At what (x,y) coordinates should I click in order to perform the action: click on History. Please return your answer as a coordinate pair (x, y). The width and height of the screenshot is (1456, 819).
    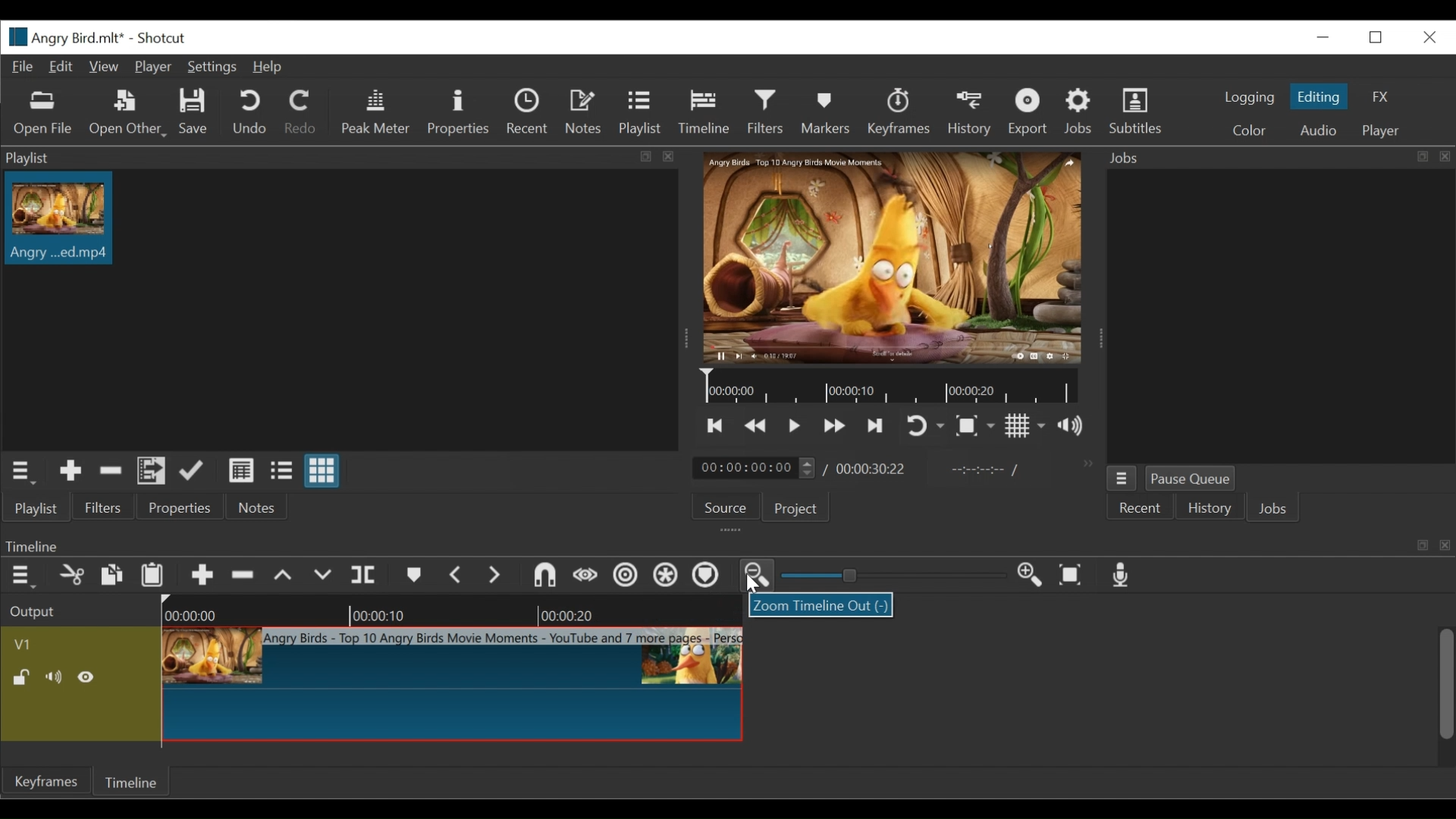
    Looking at the image, I should click on (971, 115).